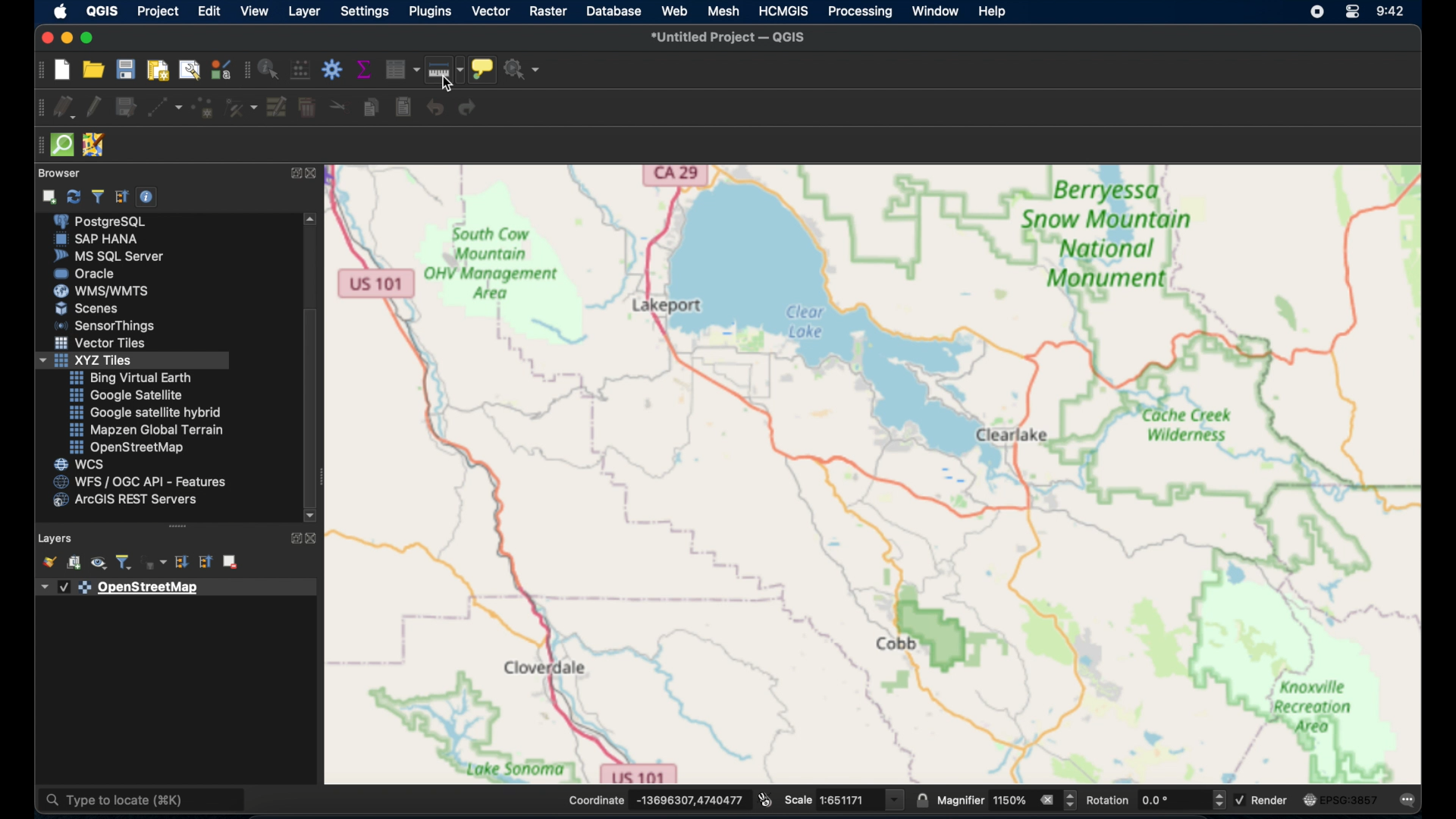 Image resolution: width=1456 pixels, height=819 pixels. What do you see at coordinates (402, 69) in the screenshot?
I see `show attributes table` at bounding box center [402, 69].